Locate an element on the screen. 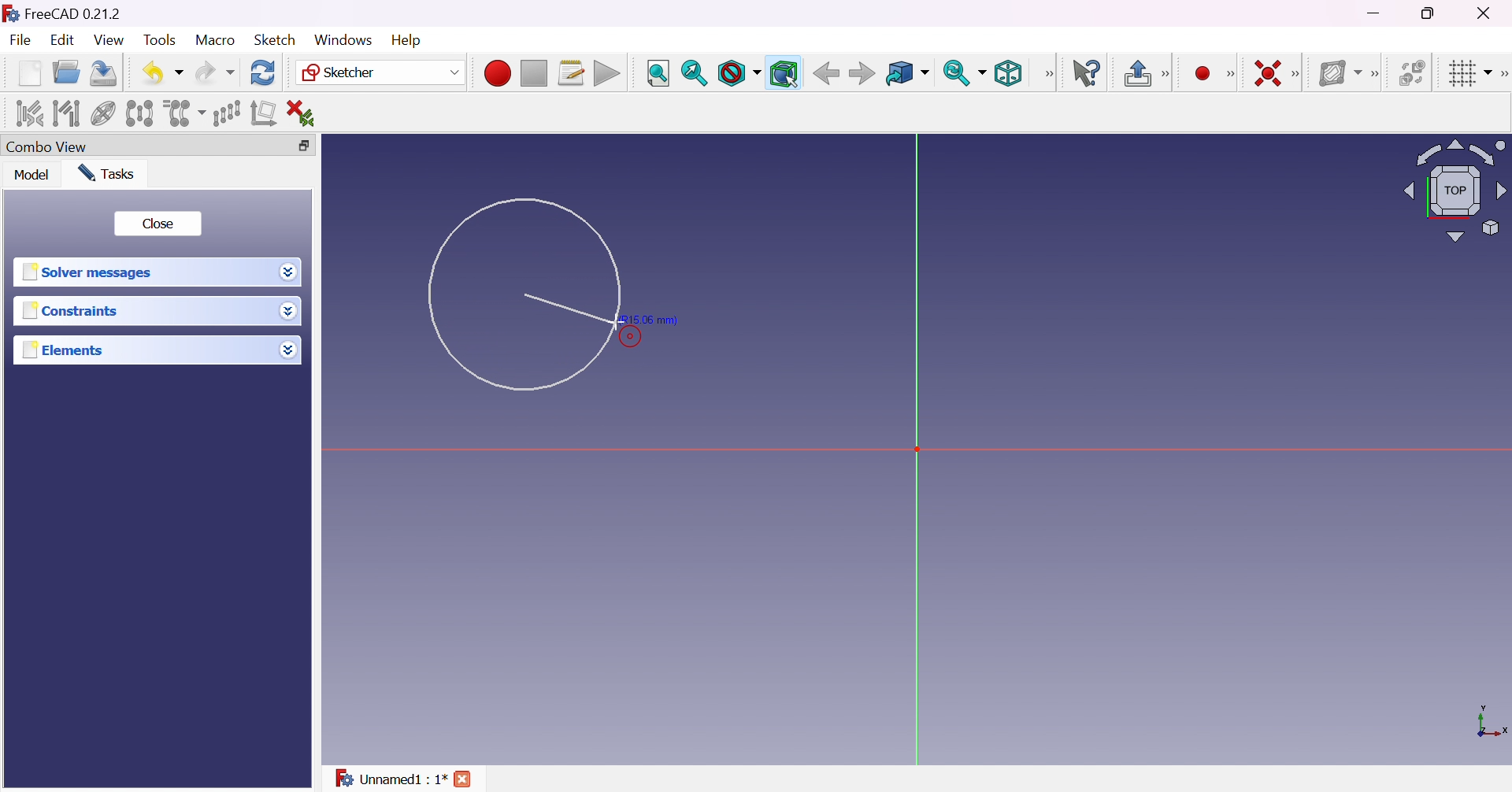 The width and height of the screenshot is (1512, 792). Draw style is located at coordinates (739, 74).